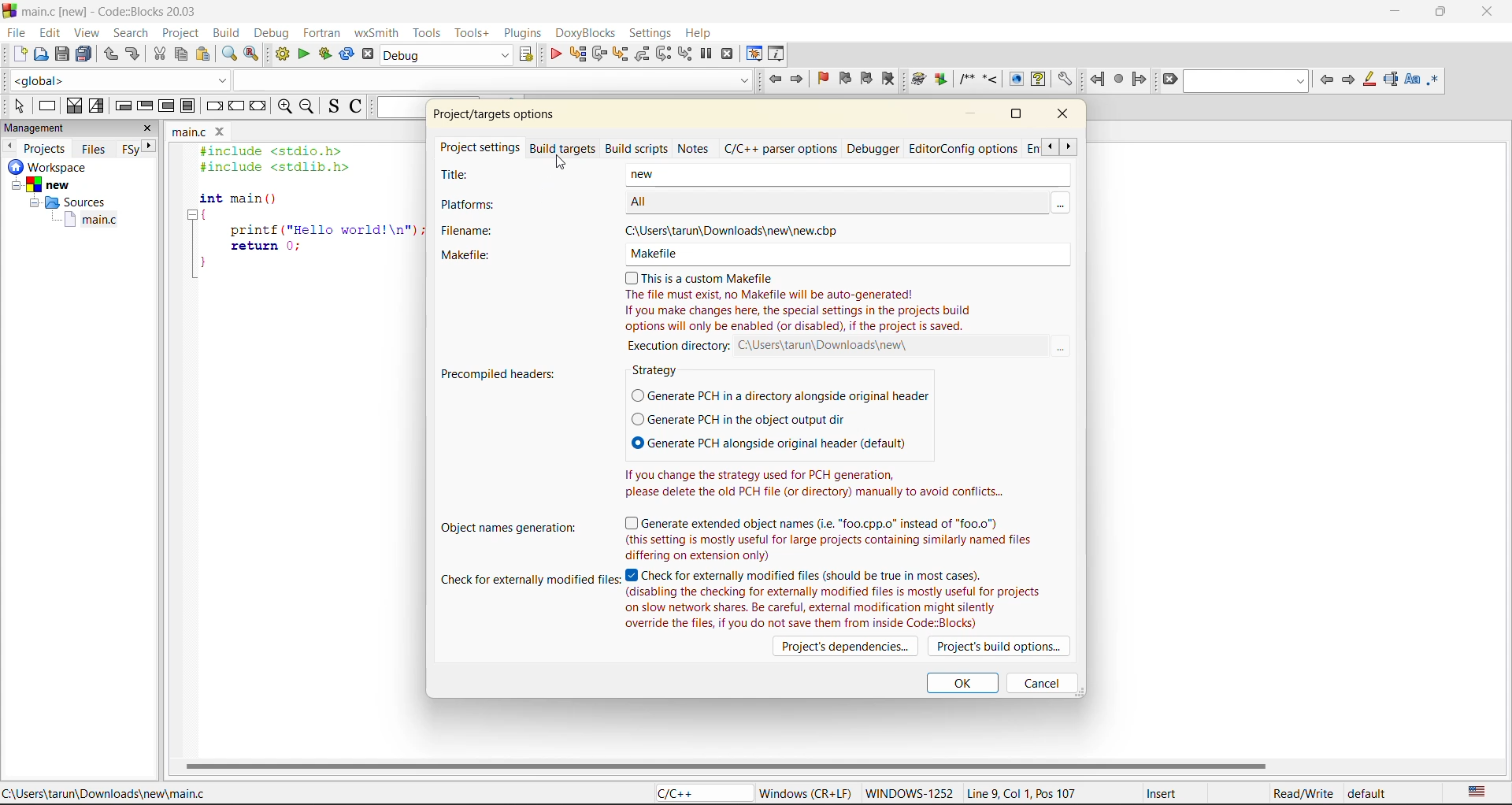 The width and height of the screenshot is (1512, 805). What do you see at coordinates (259, 108) in the screenshot?
I see `return instruction` at bounding box center [259, 108].